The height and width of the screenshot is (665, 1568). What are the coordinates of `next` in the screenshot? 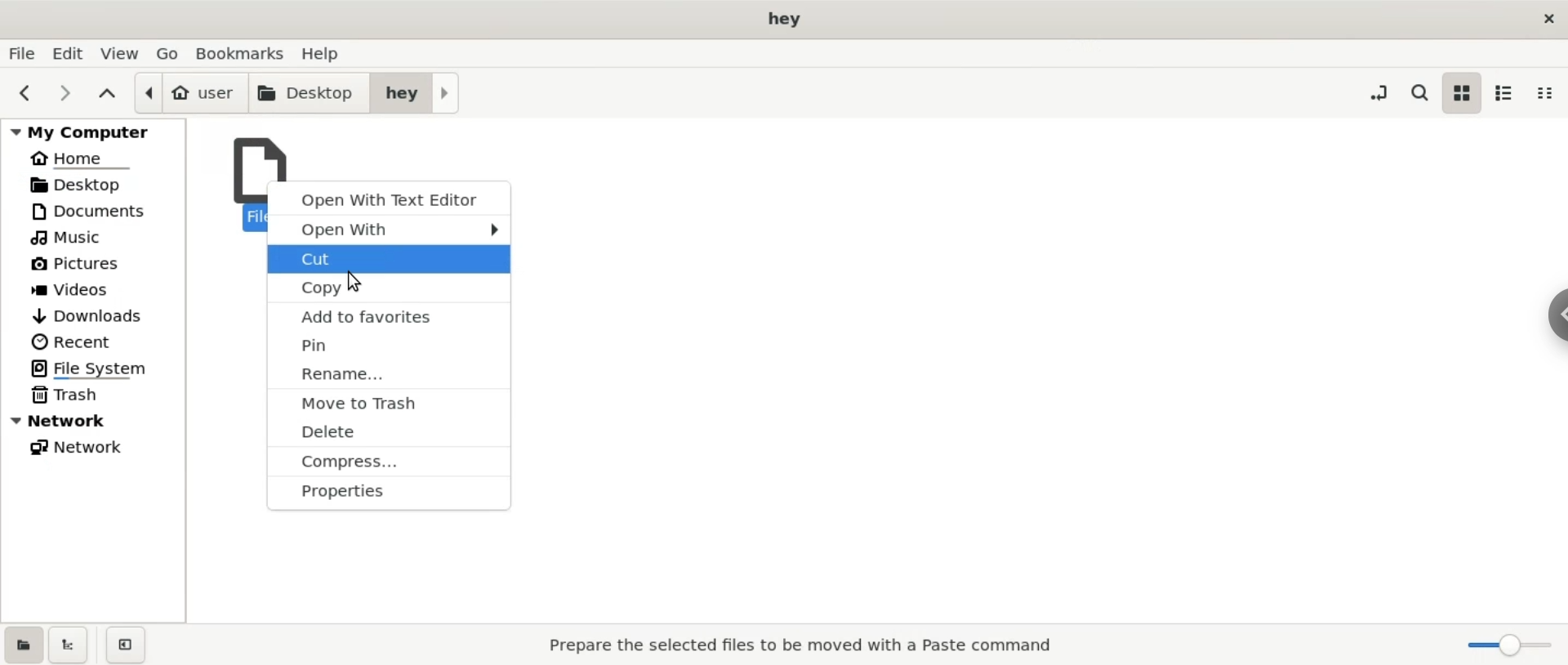 It's located at (65, 94).